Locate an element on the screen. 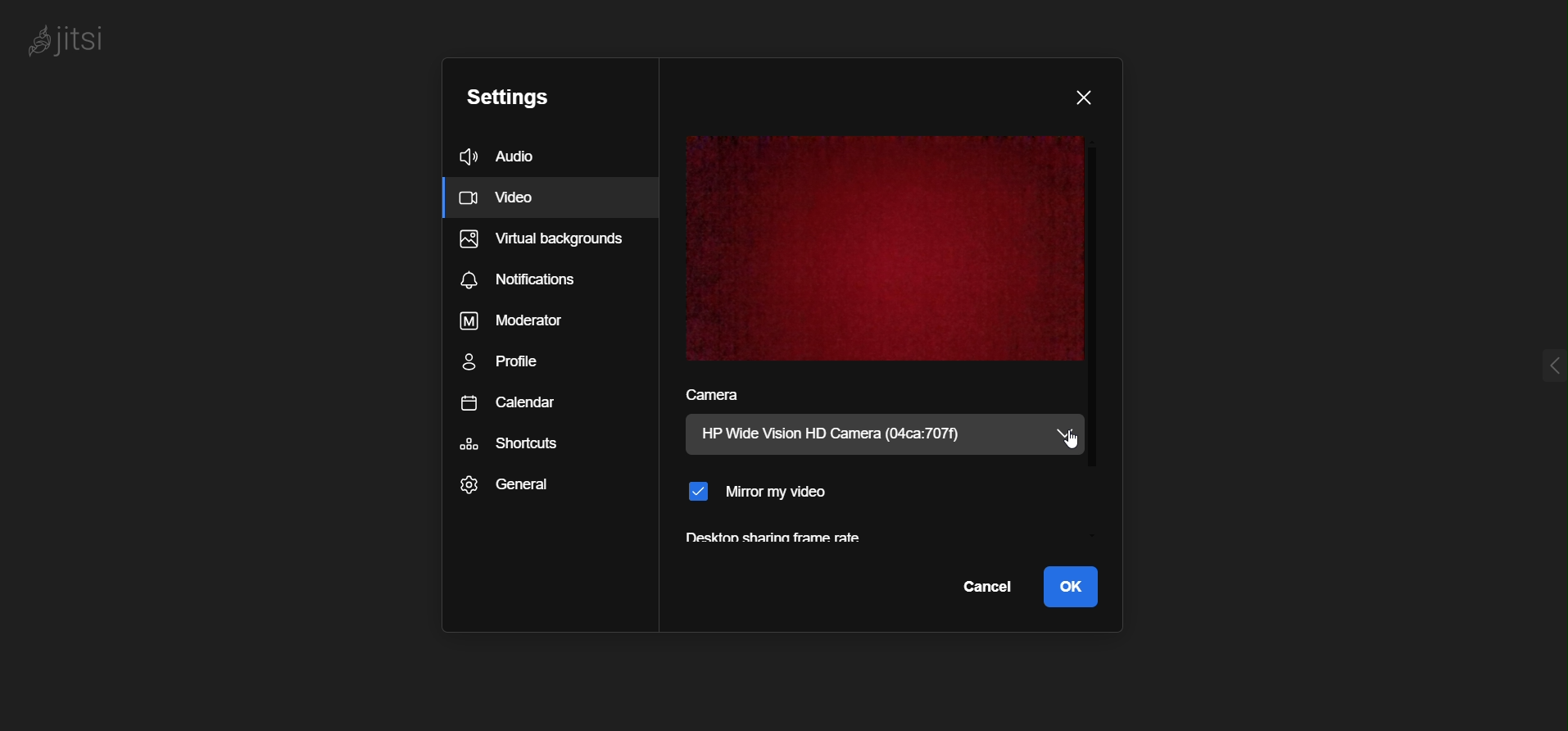 This screenshot has height=731, width=1568. settings is located at coordinates (501, 99).